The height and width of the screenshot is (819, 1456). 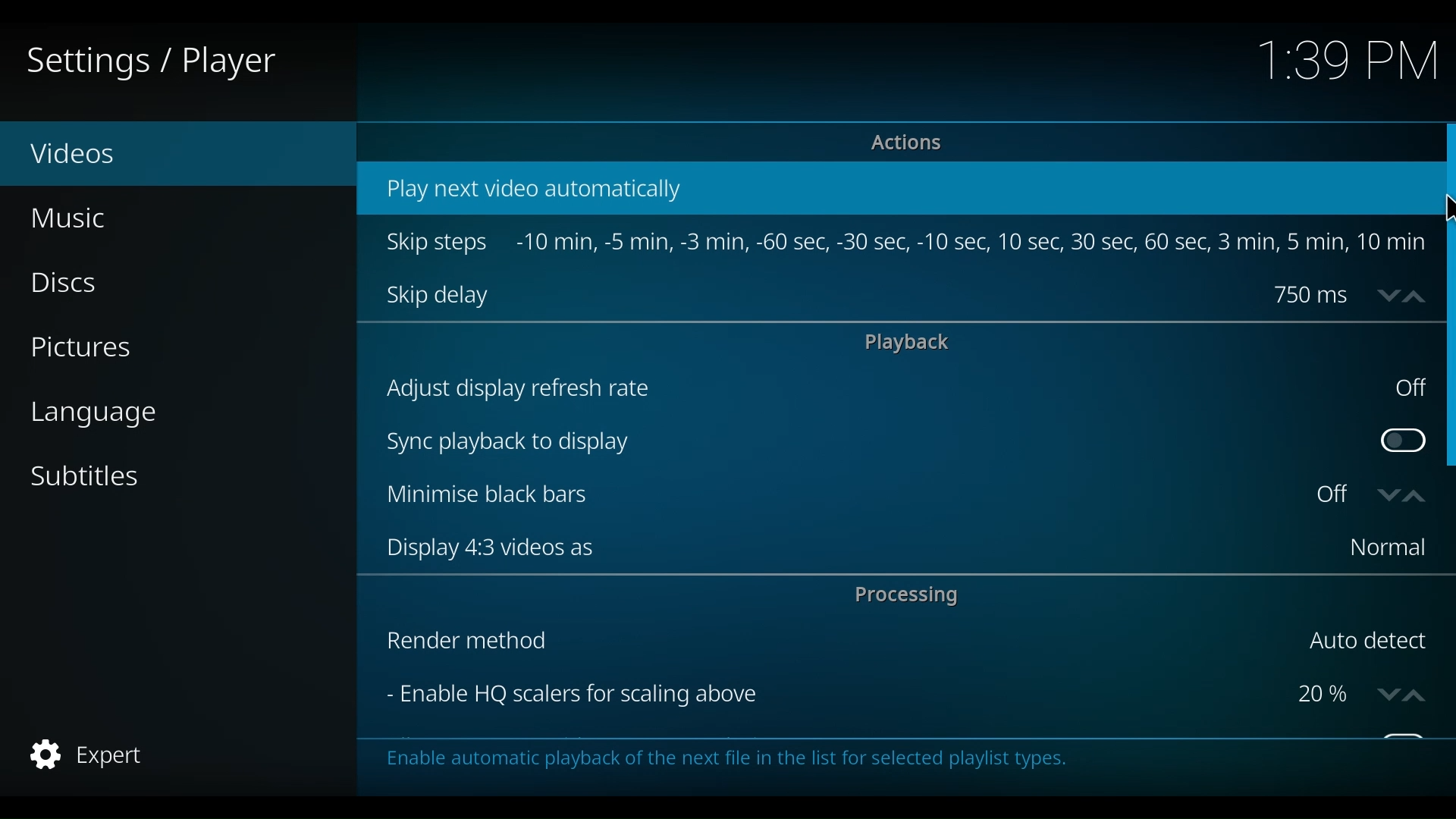 I want to click on Settings / Player, so click(x=162, y=61).